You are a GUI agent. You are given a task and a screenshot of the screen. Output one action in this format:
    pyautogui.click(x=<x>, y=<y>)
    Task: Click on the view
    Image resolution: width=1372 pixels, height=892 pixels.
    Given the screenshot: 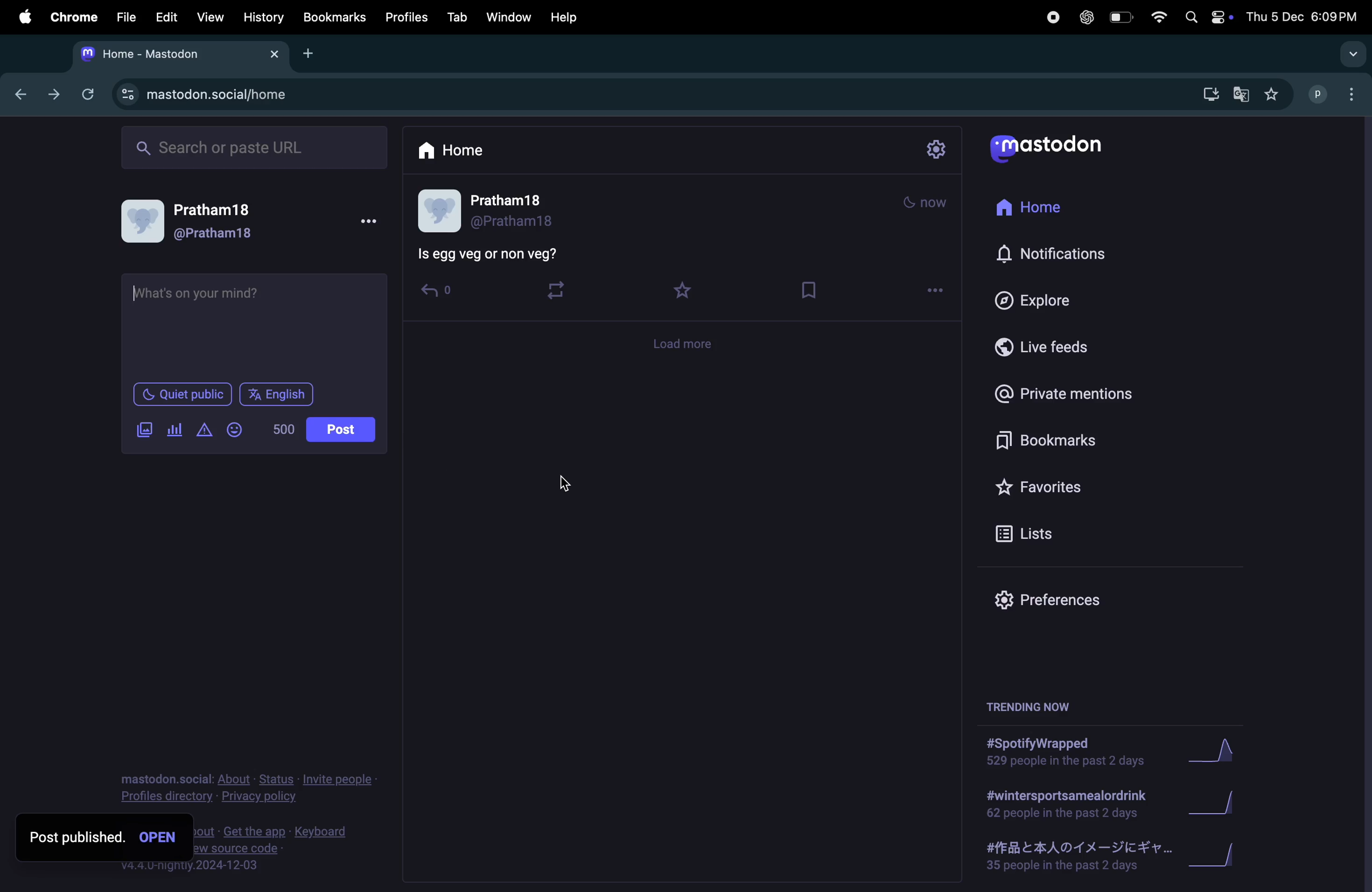 What is the action you would take?
    pyautogui.click(x=208, y=17)
    